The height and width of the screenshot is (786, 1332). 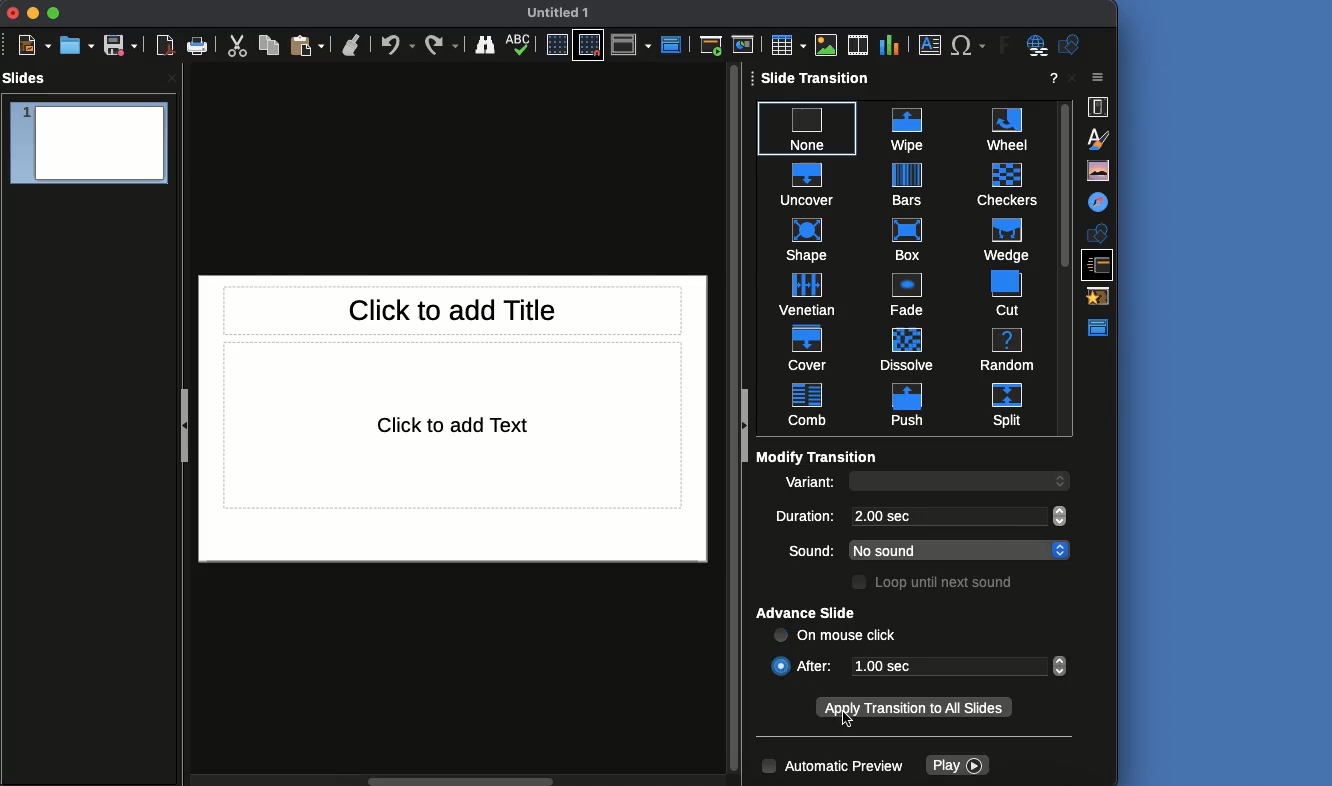 What do you see at coordinates (269, 46) in the screenshot?
I see `Copy` at bounding box center [269, 46].